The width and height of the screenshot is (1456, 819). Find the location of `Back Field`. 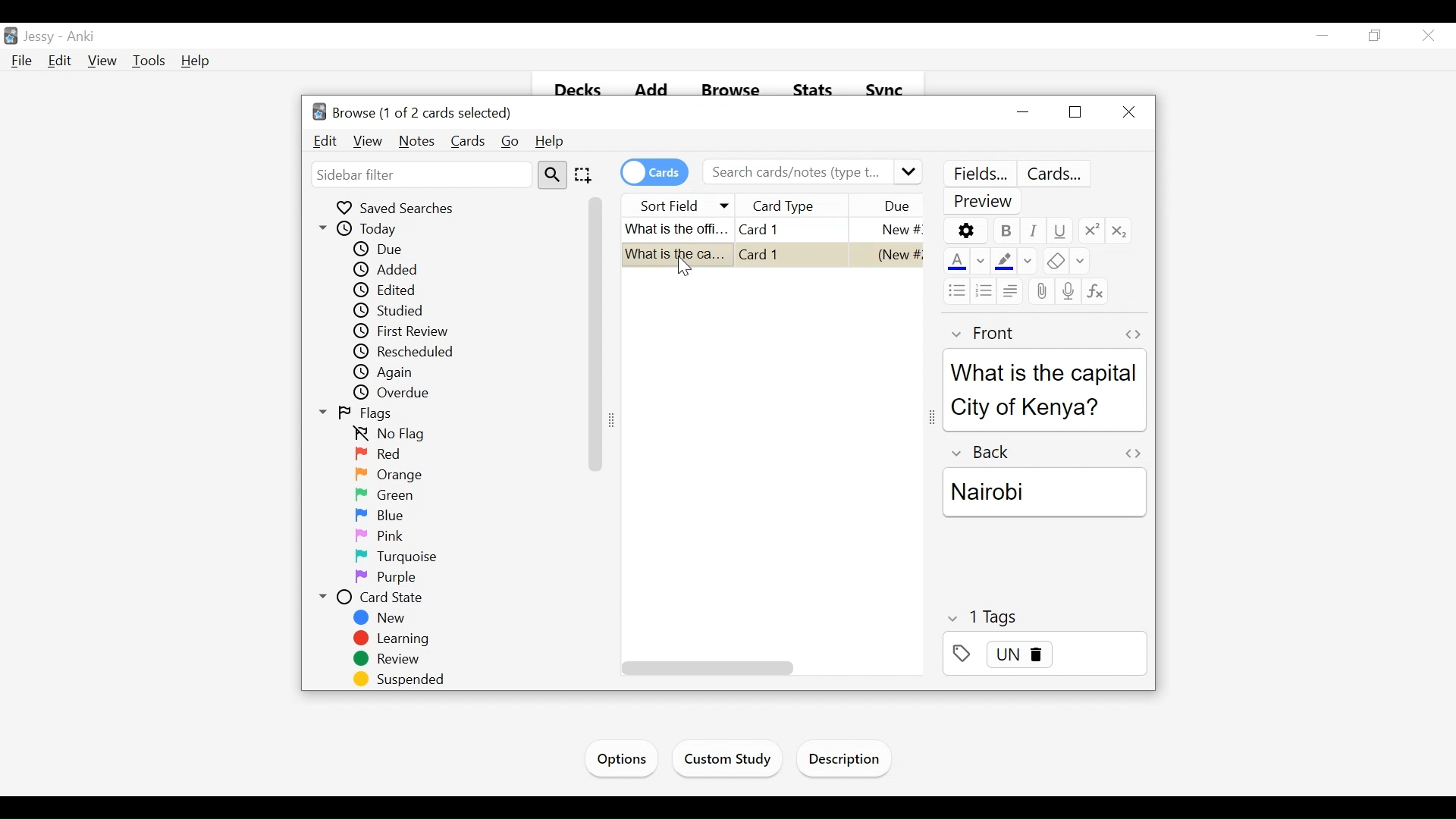

Back Field is located at coordinates (1047, 528).